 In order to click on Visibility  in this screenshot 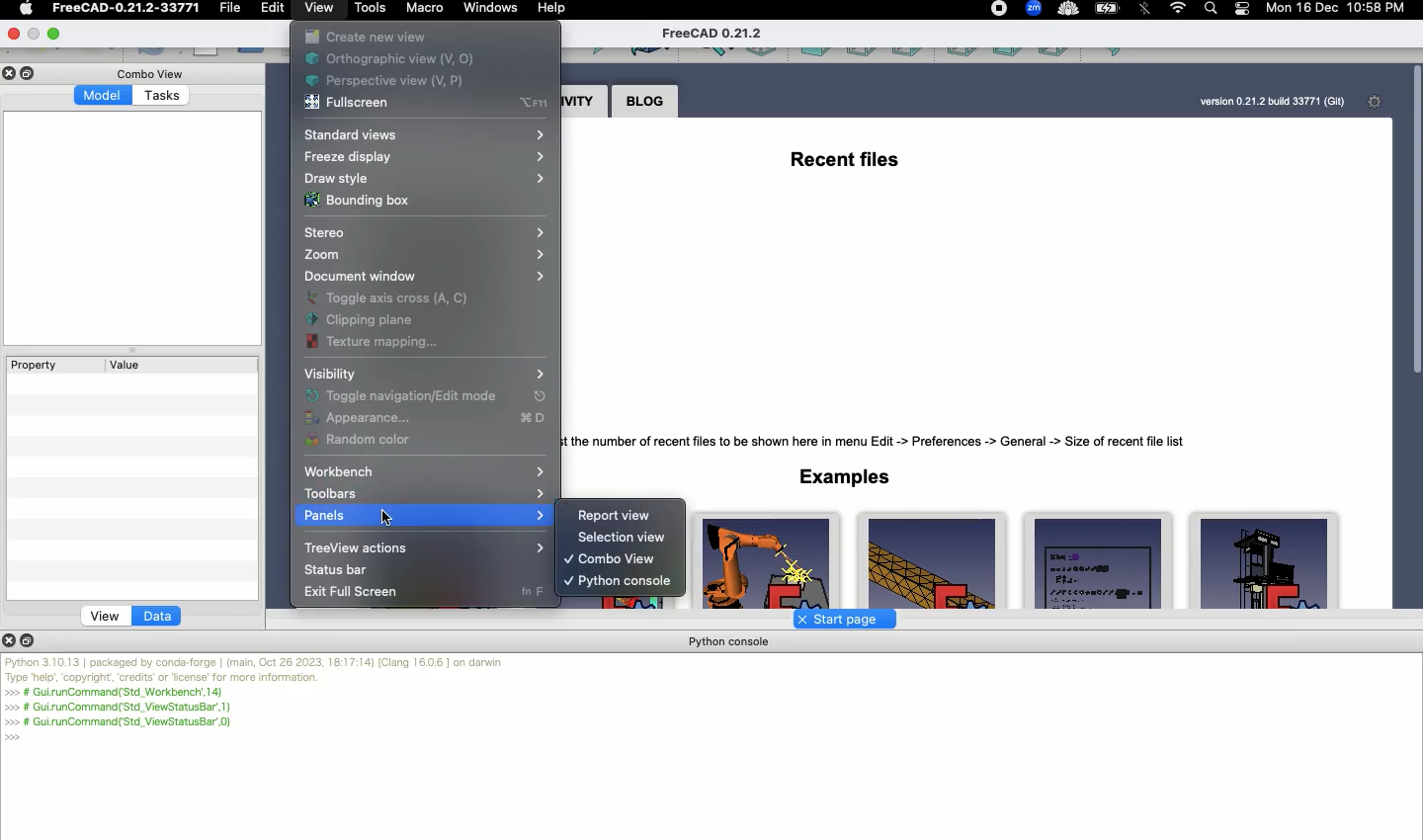, I will do `click(424, 376)`.